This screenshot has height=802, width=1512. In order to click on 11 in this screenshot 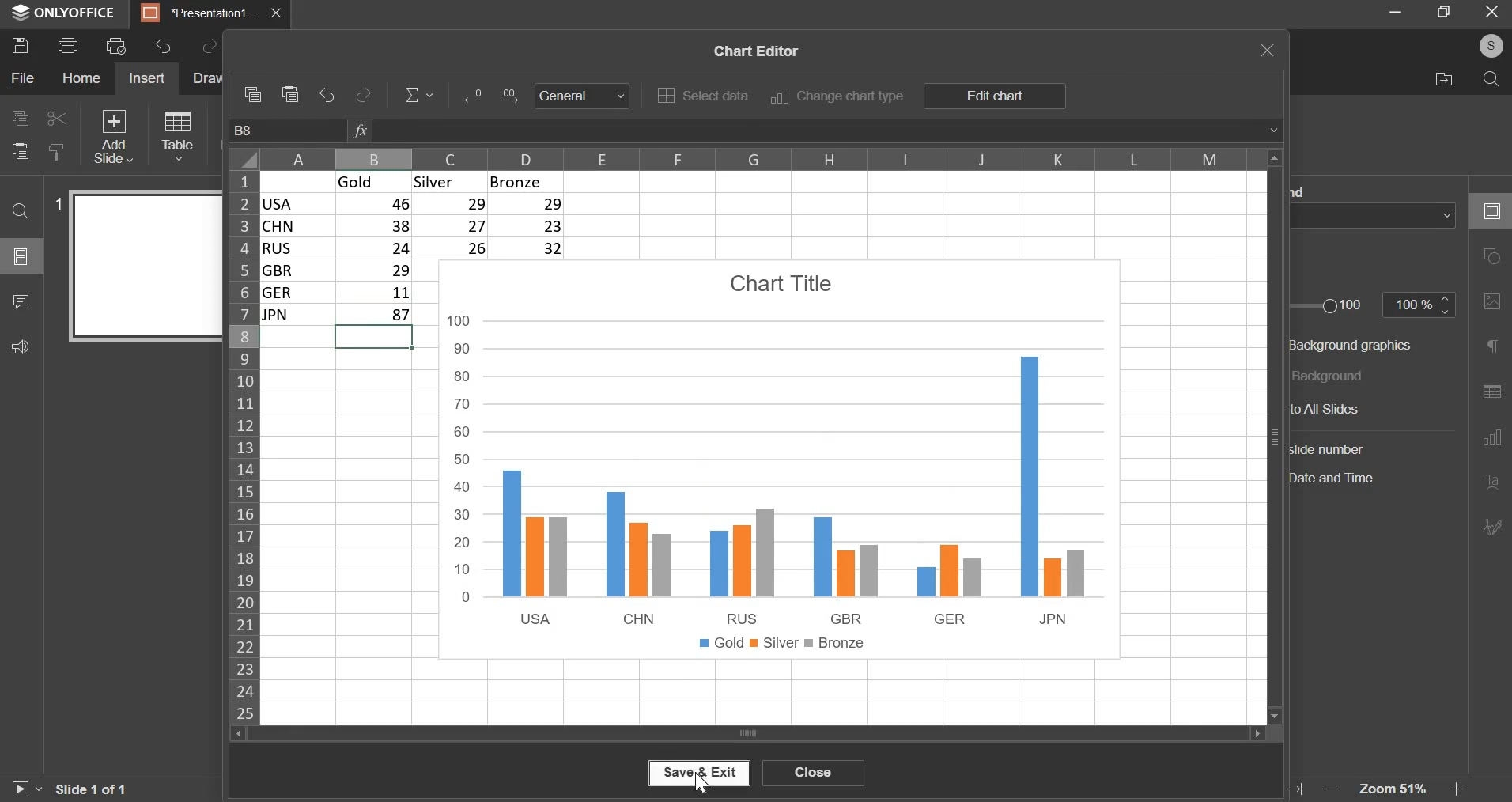, I will do `click(376, 294)`.